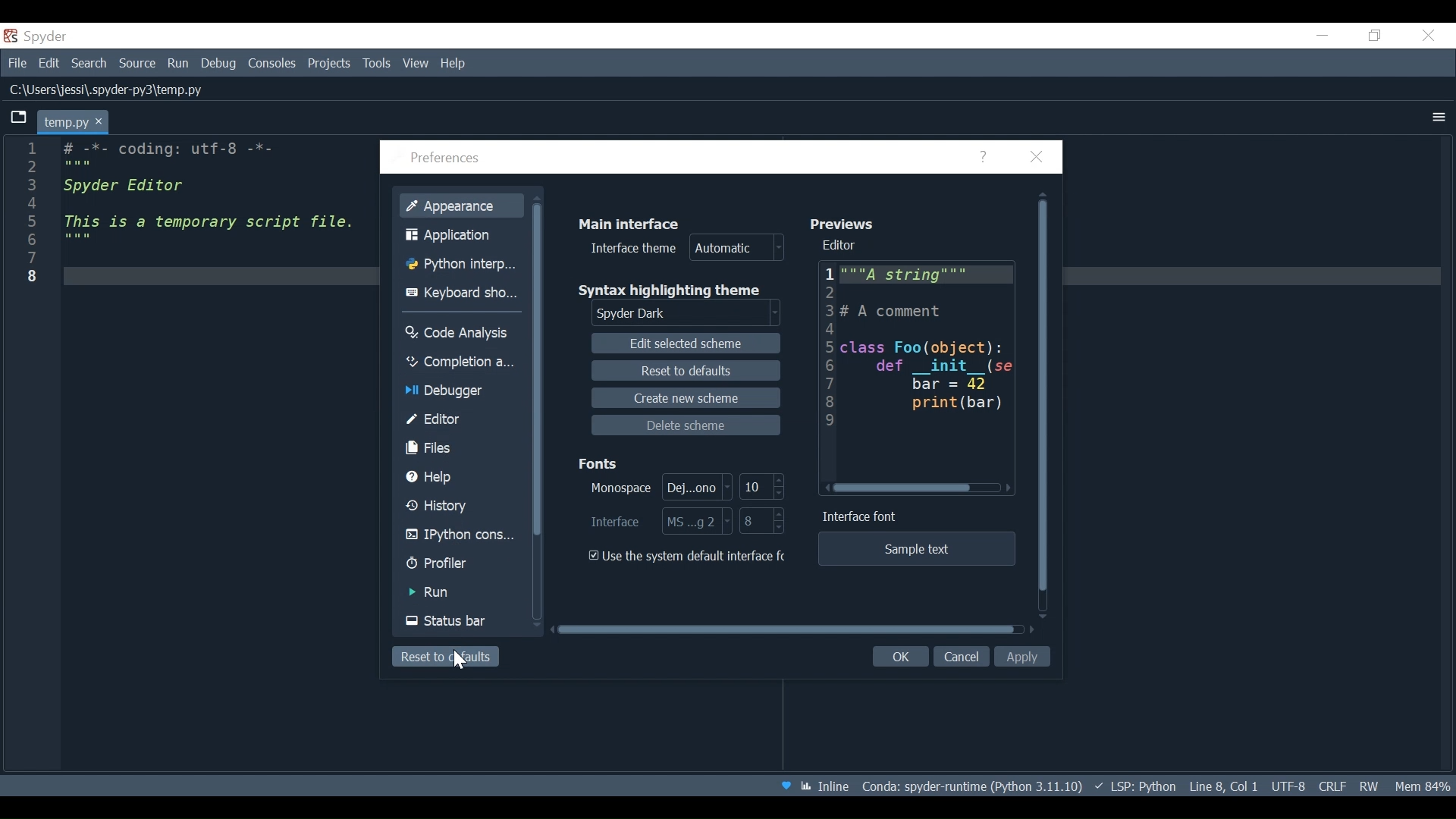 The width and height of the screenshot is (1456, 819). I want to click on Create new scheme, so click(685, 397).